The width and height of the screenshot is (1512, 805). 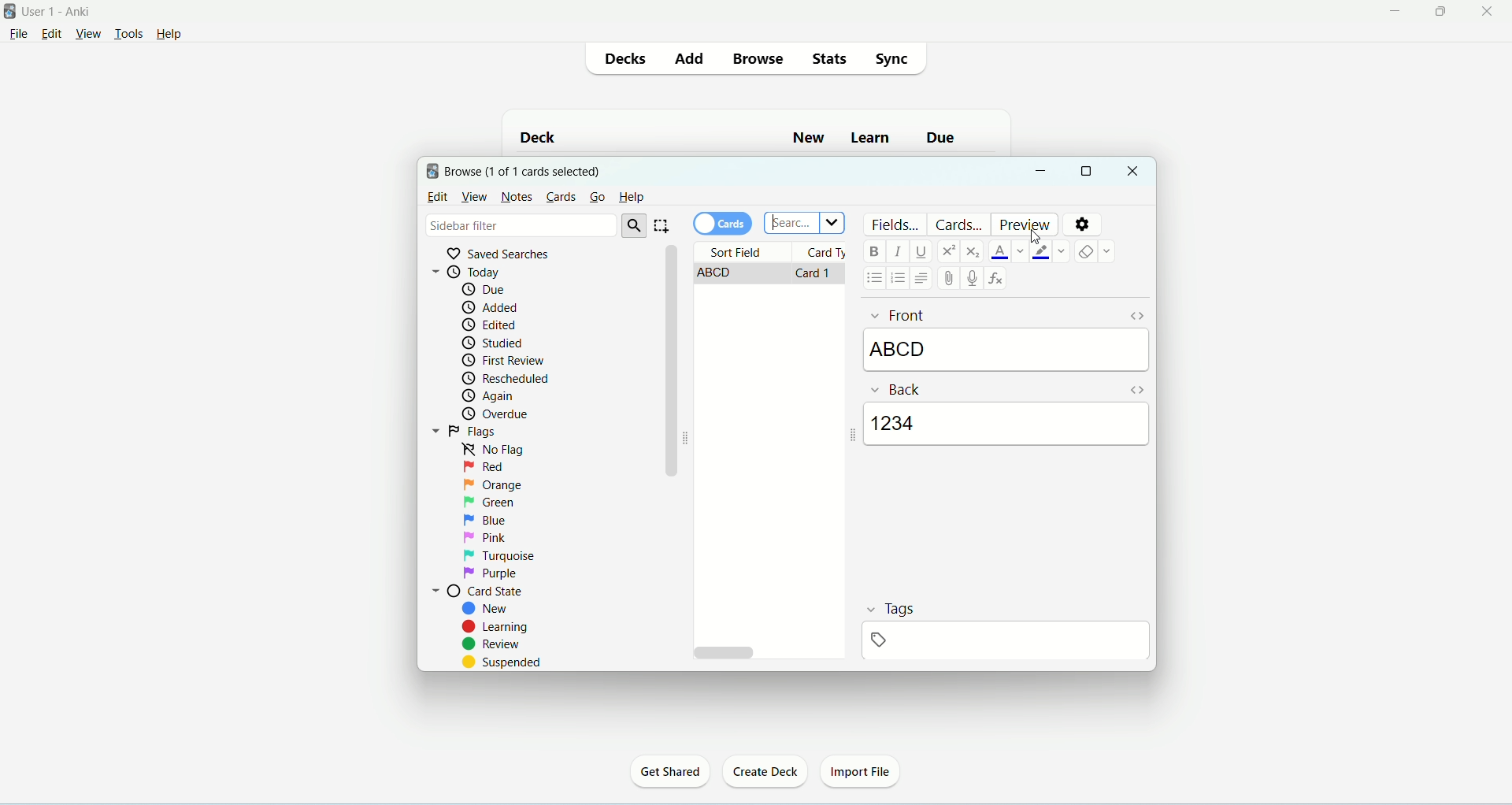 I want to click on horizontal scroll bar, so click(x=769, y=652).